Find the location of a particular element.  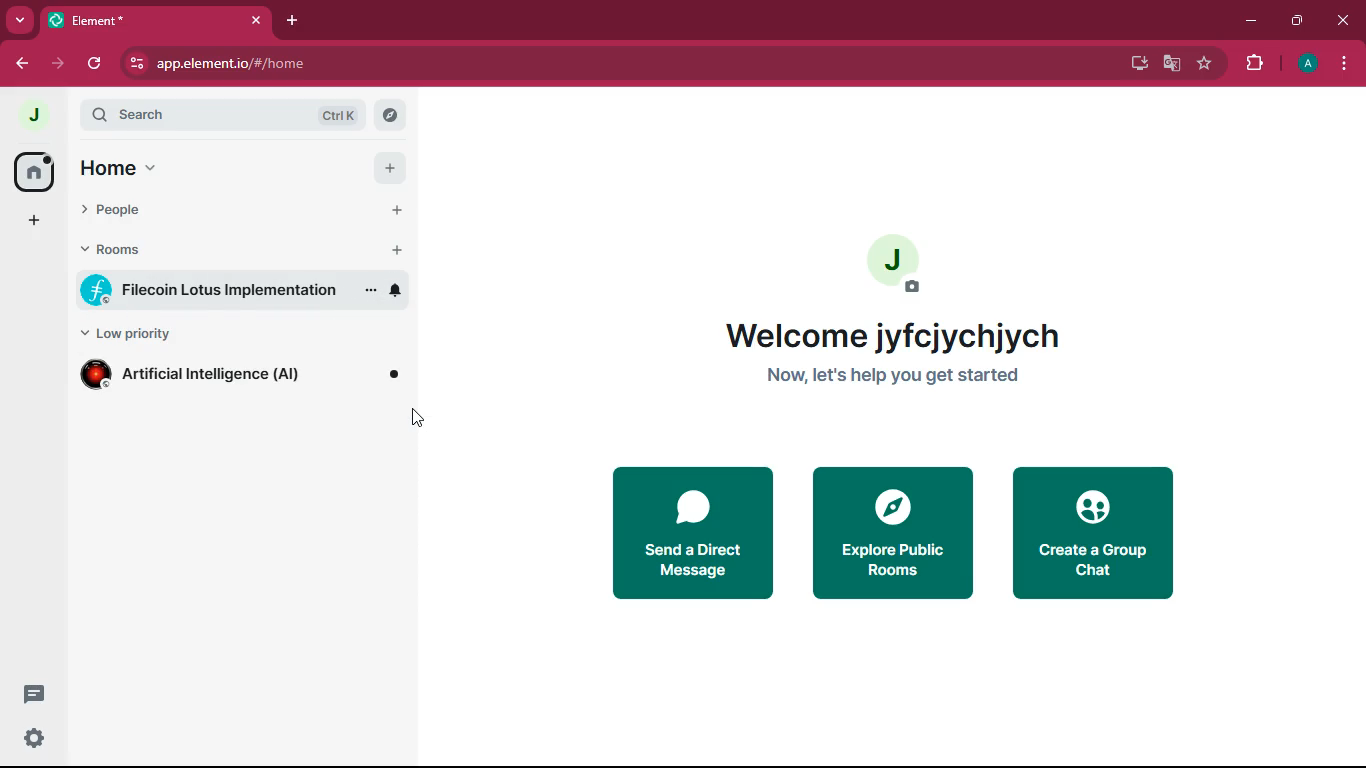

quick settings is located at coordinates (35, 737).